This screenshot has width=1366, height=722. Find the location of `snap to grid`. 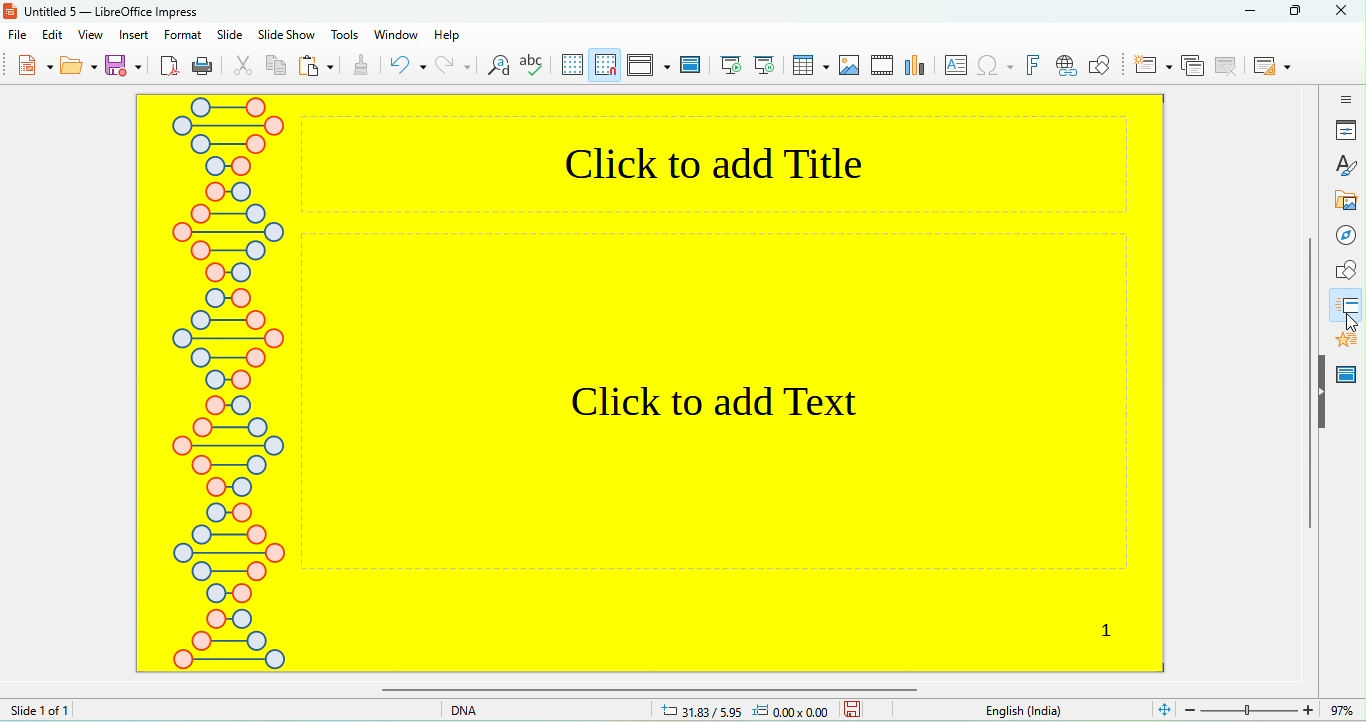

snap to grid is located at coordinates (602, 67).